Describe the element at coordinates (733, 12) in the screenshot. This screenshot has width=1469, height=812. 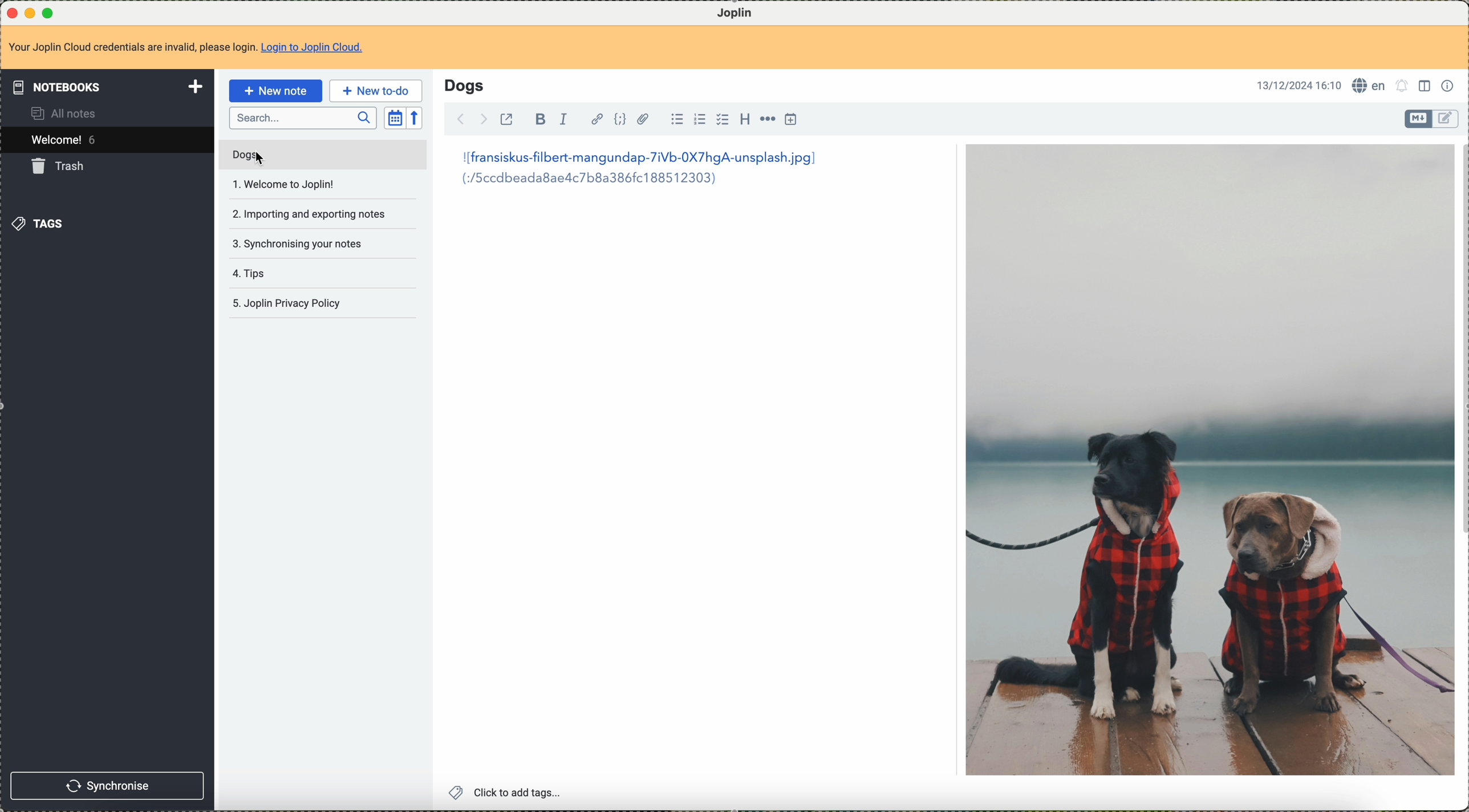
I see `Joplin` at that location.